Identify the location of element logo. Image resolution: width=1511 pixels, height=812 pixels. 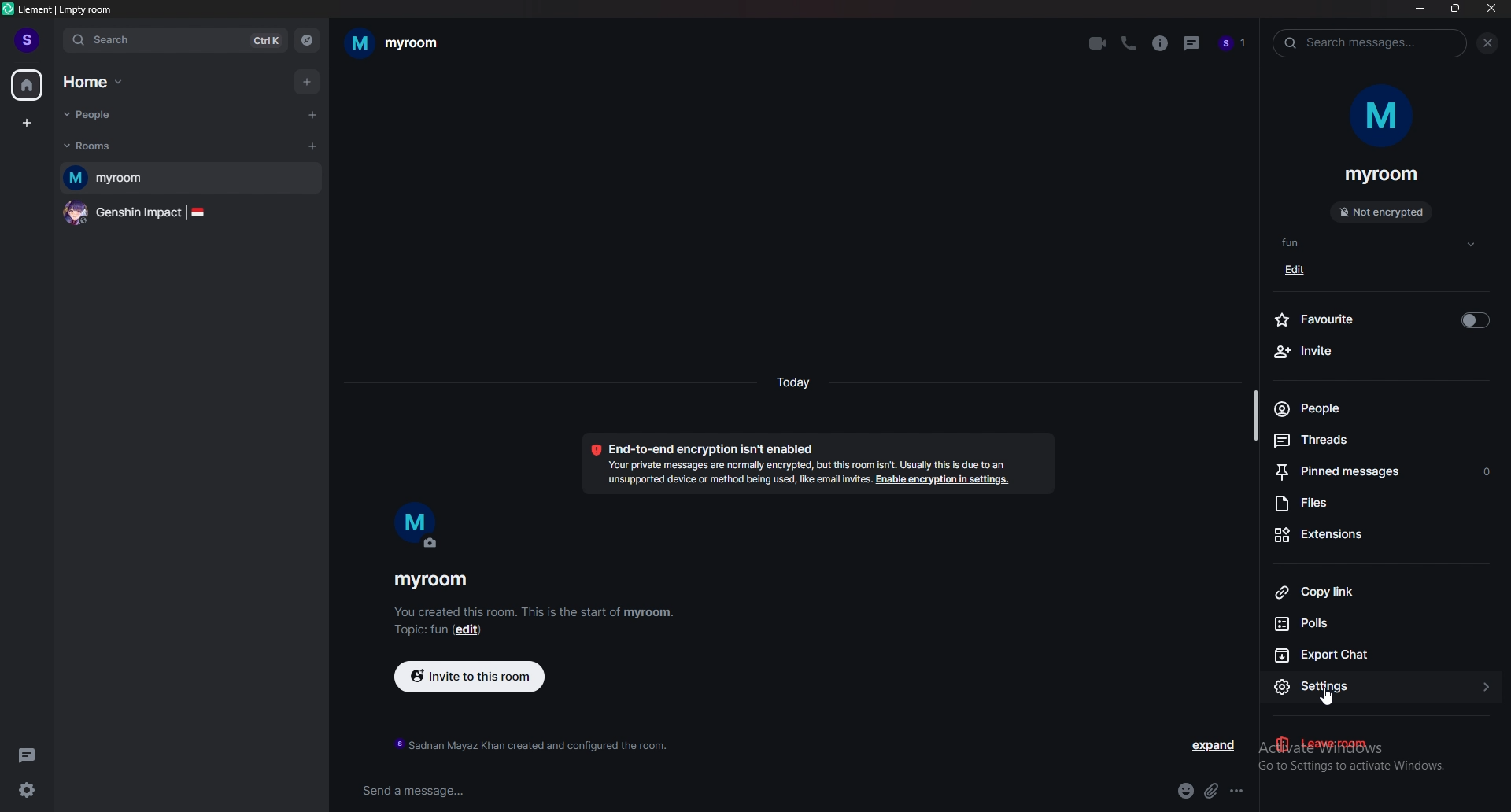
(9, 9).